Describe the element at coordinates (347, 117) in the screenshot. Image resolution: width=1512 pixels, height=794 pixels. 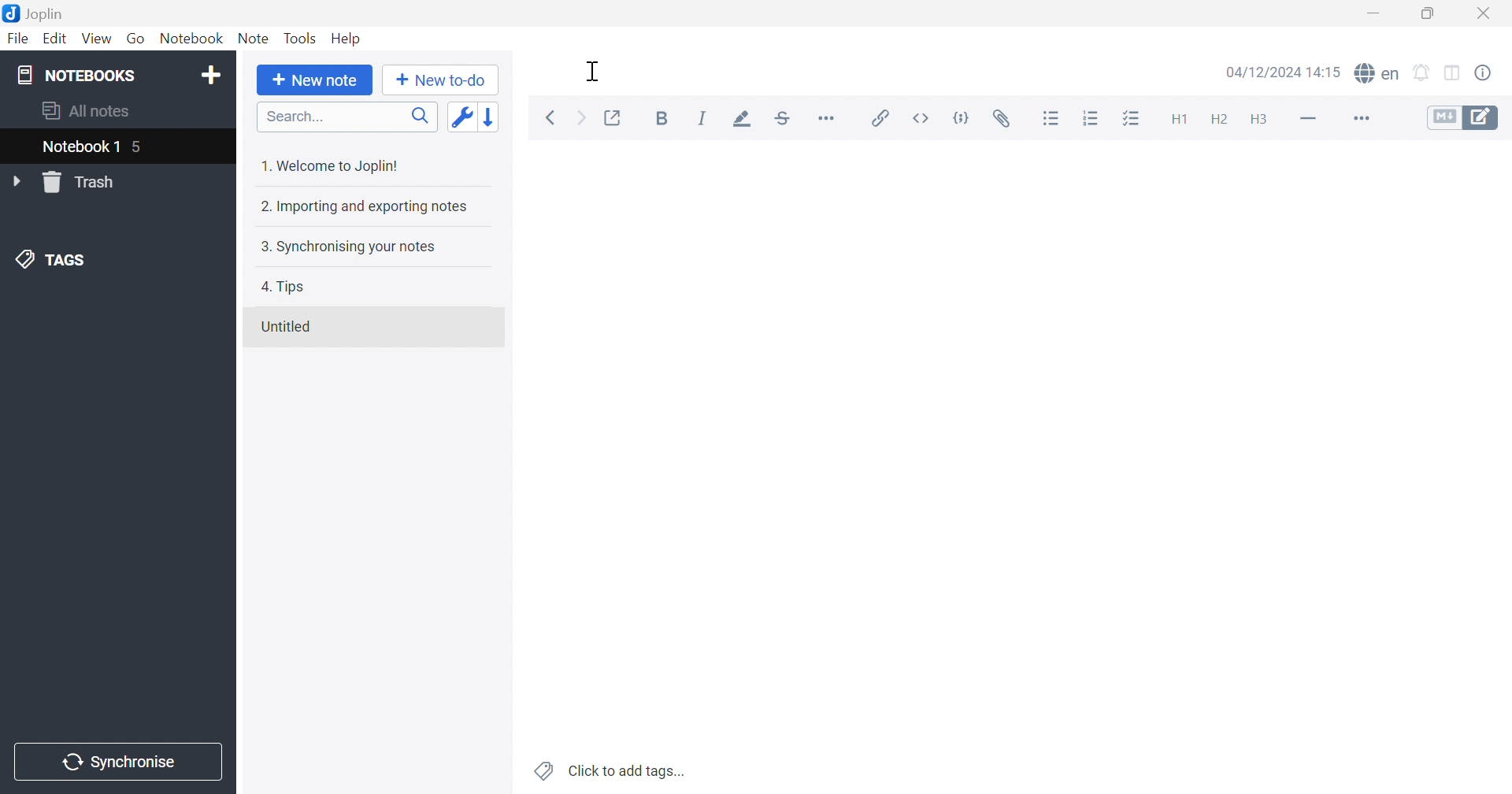
I see `Search...` at that location.